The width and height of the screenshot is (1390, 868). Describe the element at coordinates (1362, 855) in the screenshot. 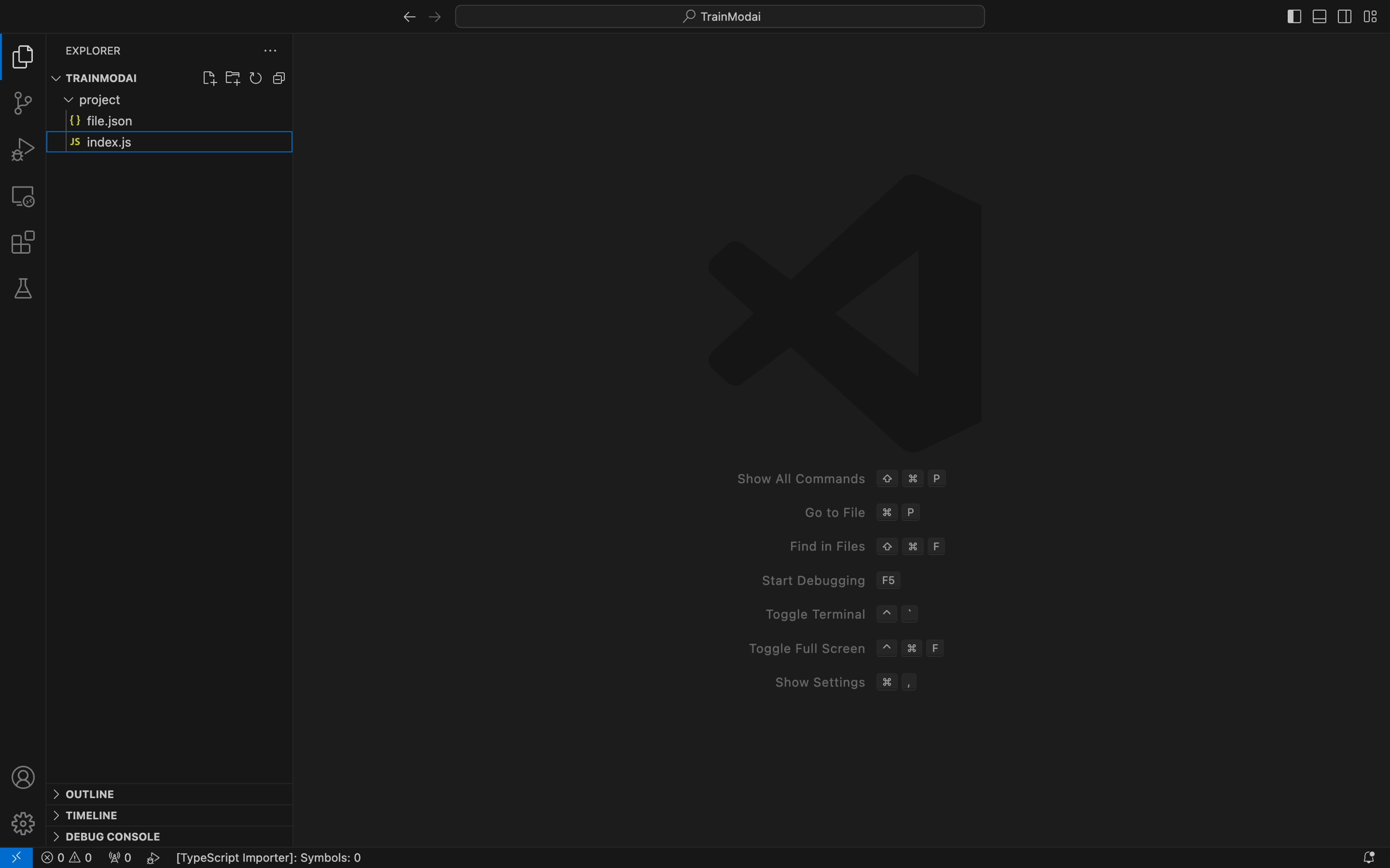

I see `notification` at that location.